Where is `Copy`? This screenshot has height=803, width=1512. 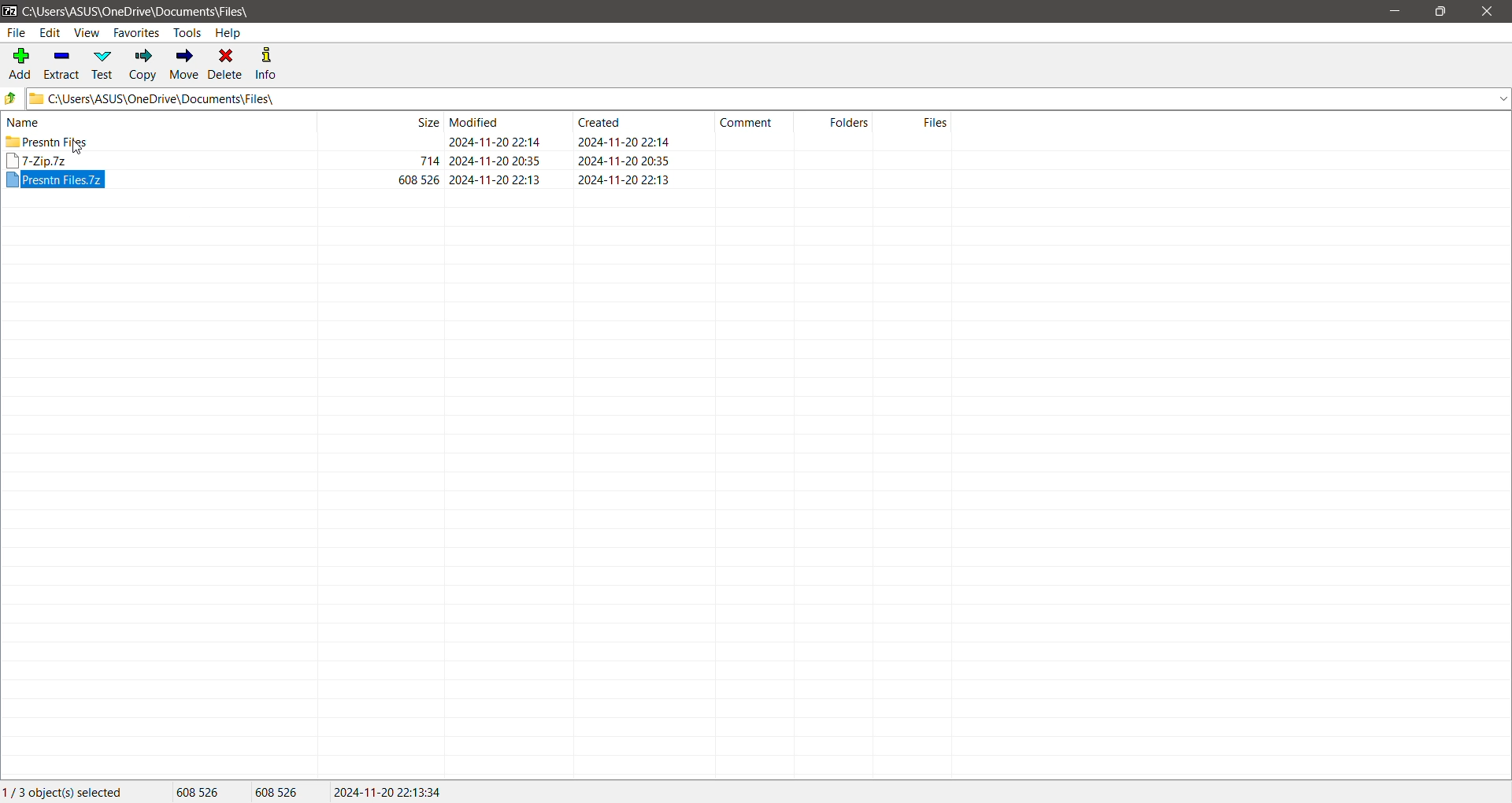 Copy is located at coordinates (143, 64).